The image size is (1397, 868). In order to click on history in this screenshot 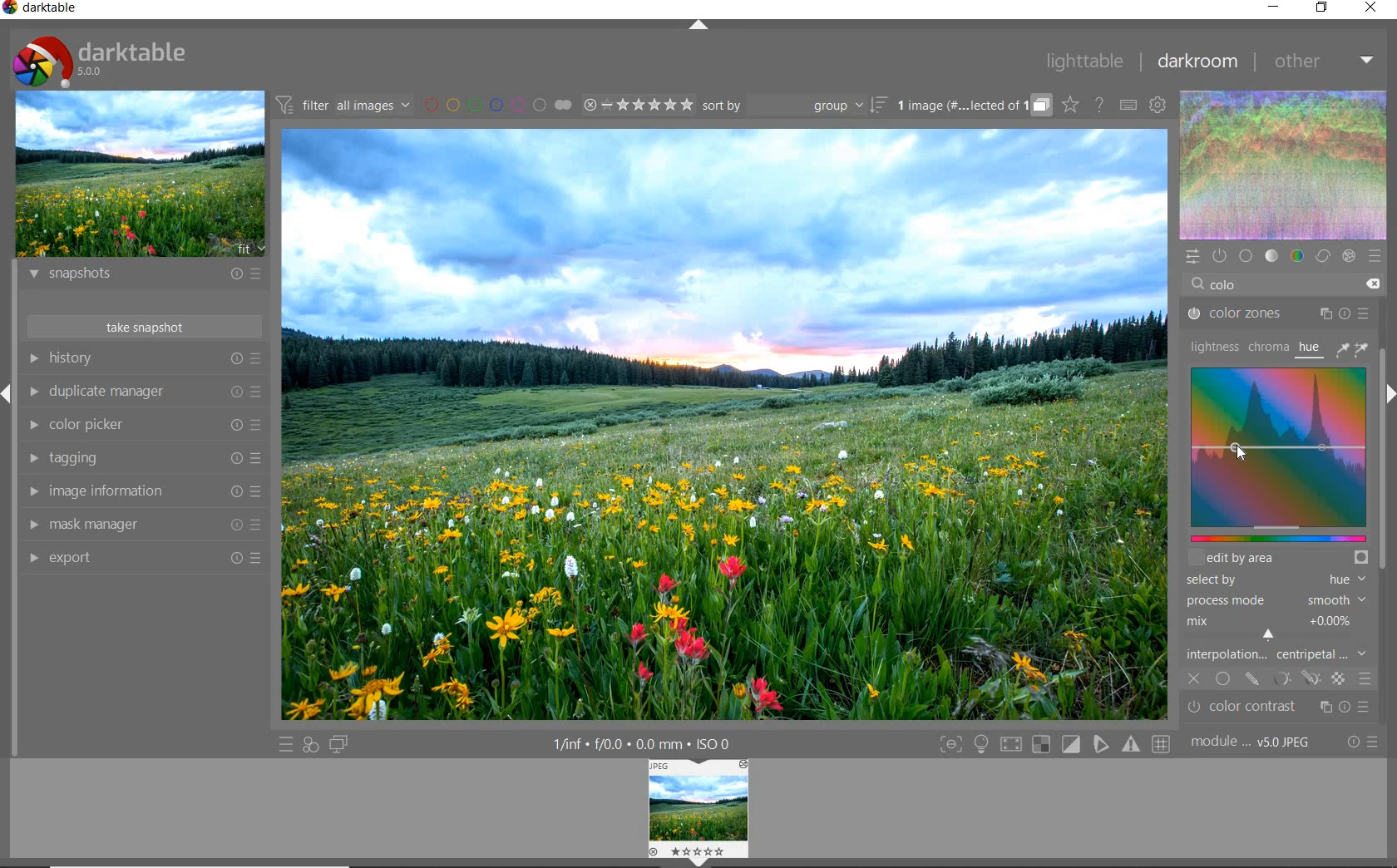, I will do `click(143, 358)`.